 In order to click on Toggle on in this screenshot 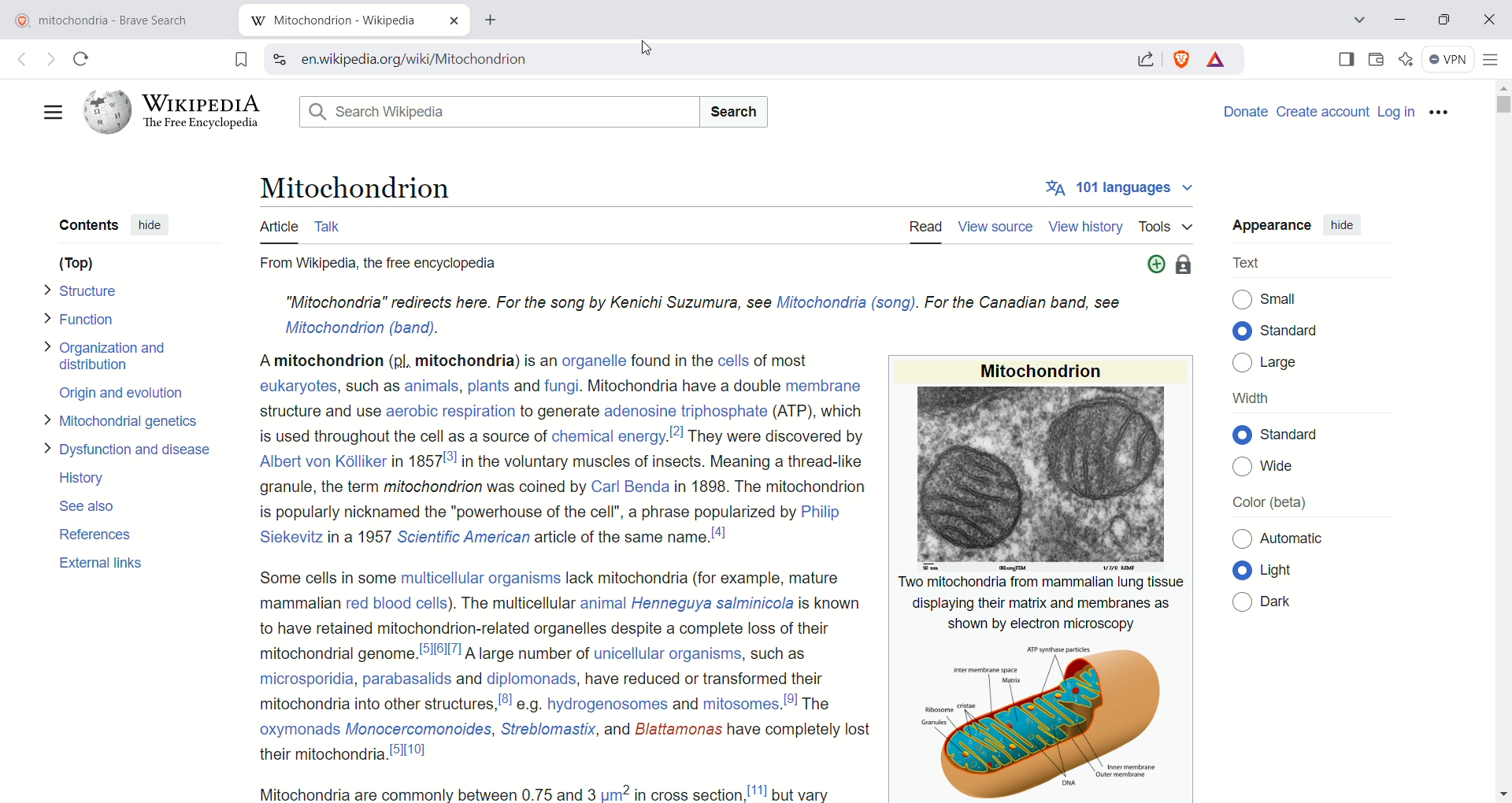, I will do `click(1243, 570)`.